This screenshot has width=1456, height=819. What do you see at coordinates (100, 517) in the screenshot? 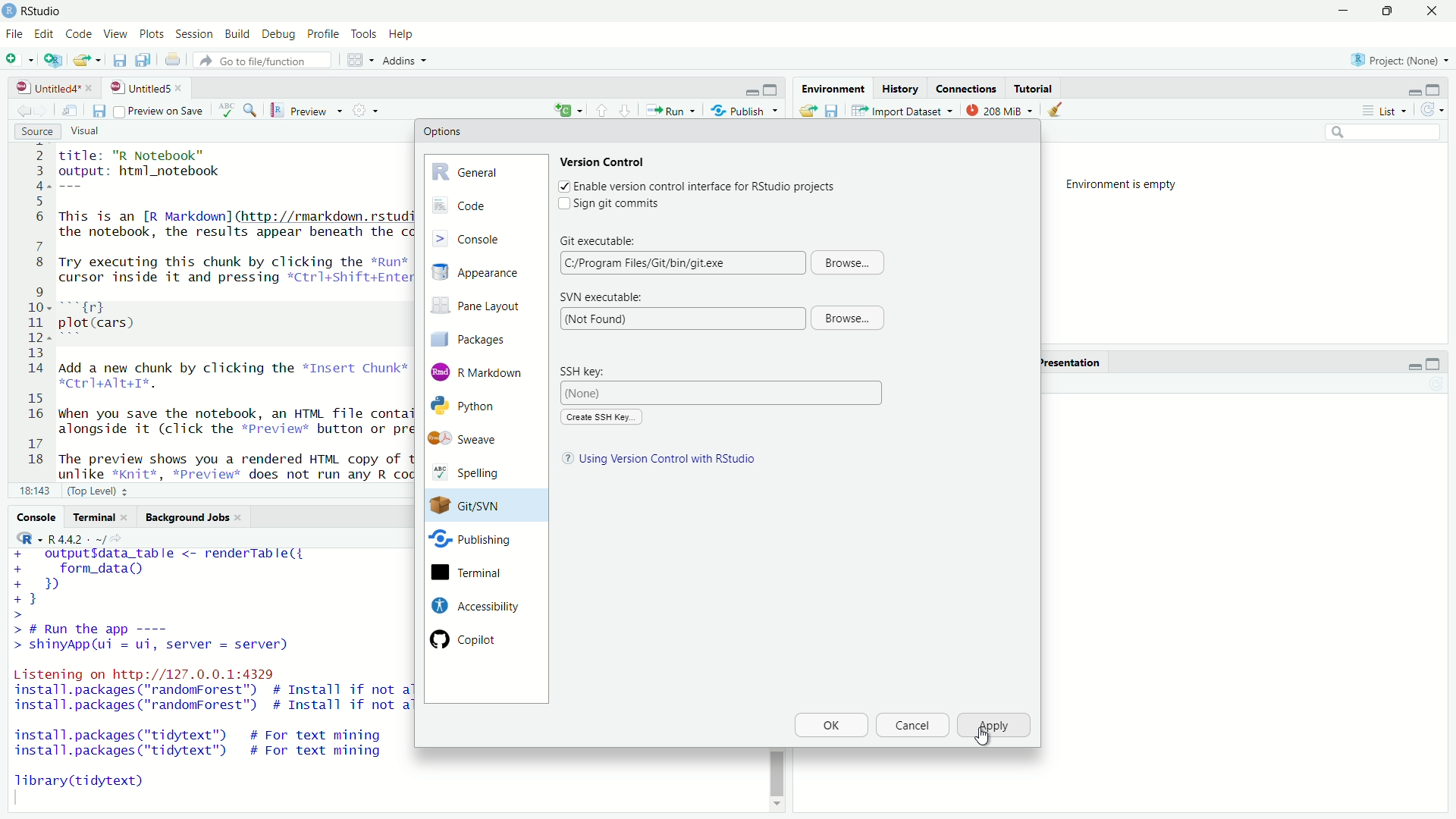
I see `Terminal` at bounding box center [100, 517].